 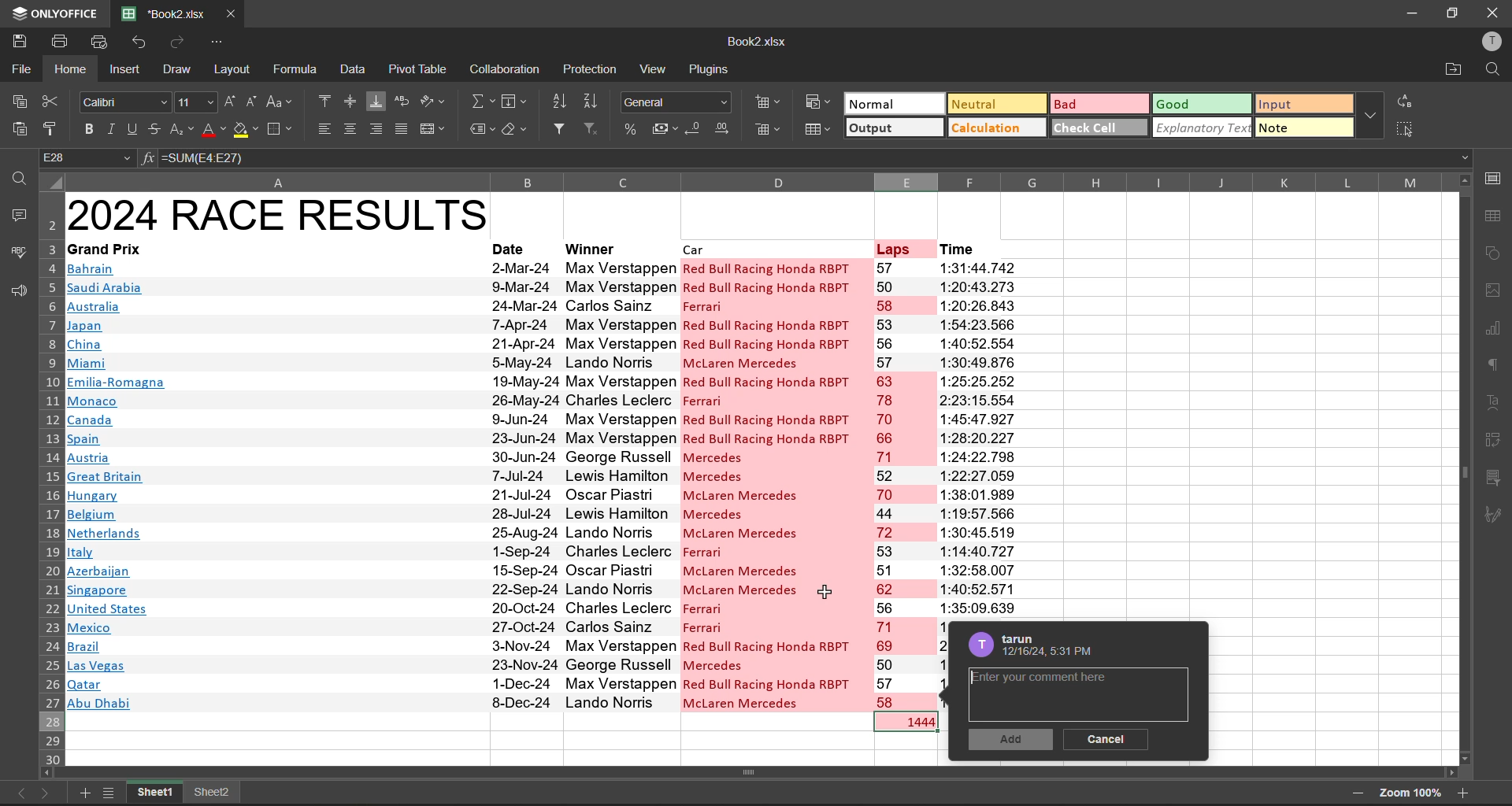 I want to click on pivot table, so click(x=422, y=70).